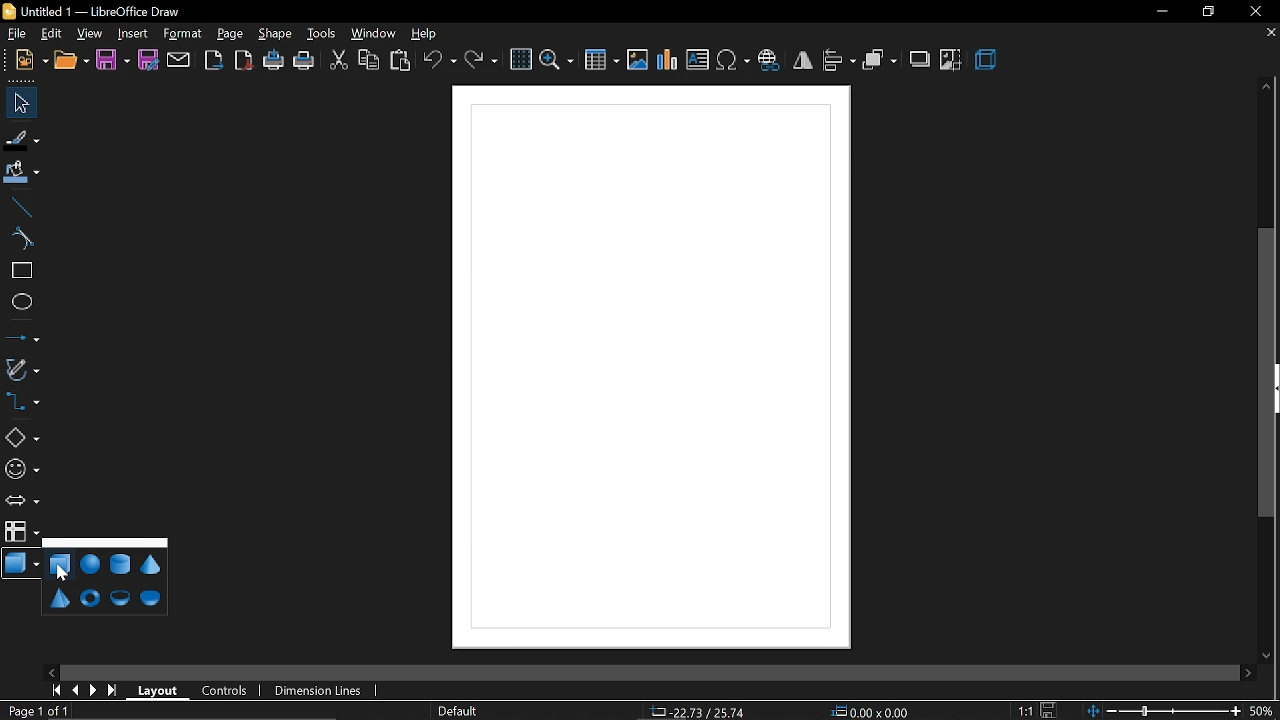 This screenshot has height=720, width=1280. I want to click on position, so click(872, 711).